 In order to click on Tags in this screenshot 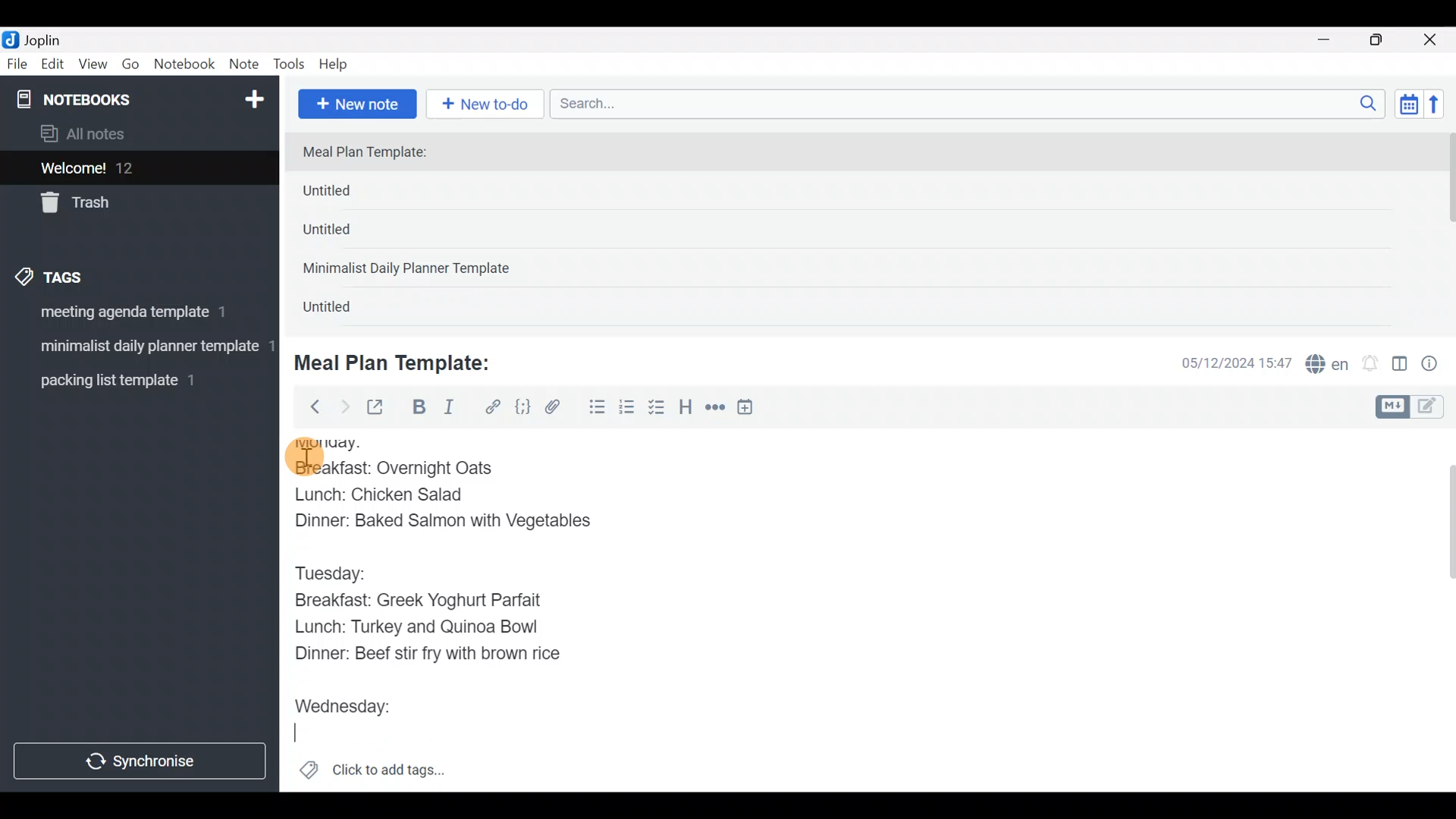, I will do `click(85, 275)`.